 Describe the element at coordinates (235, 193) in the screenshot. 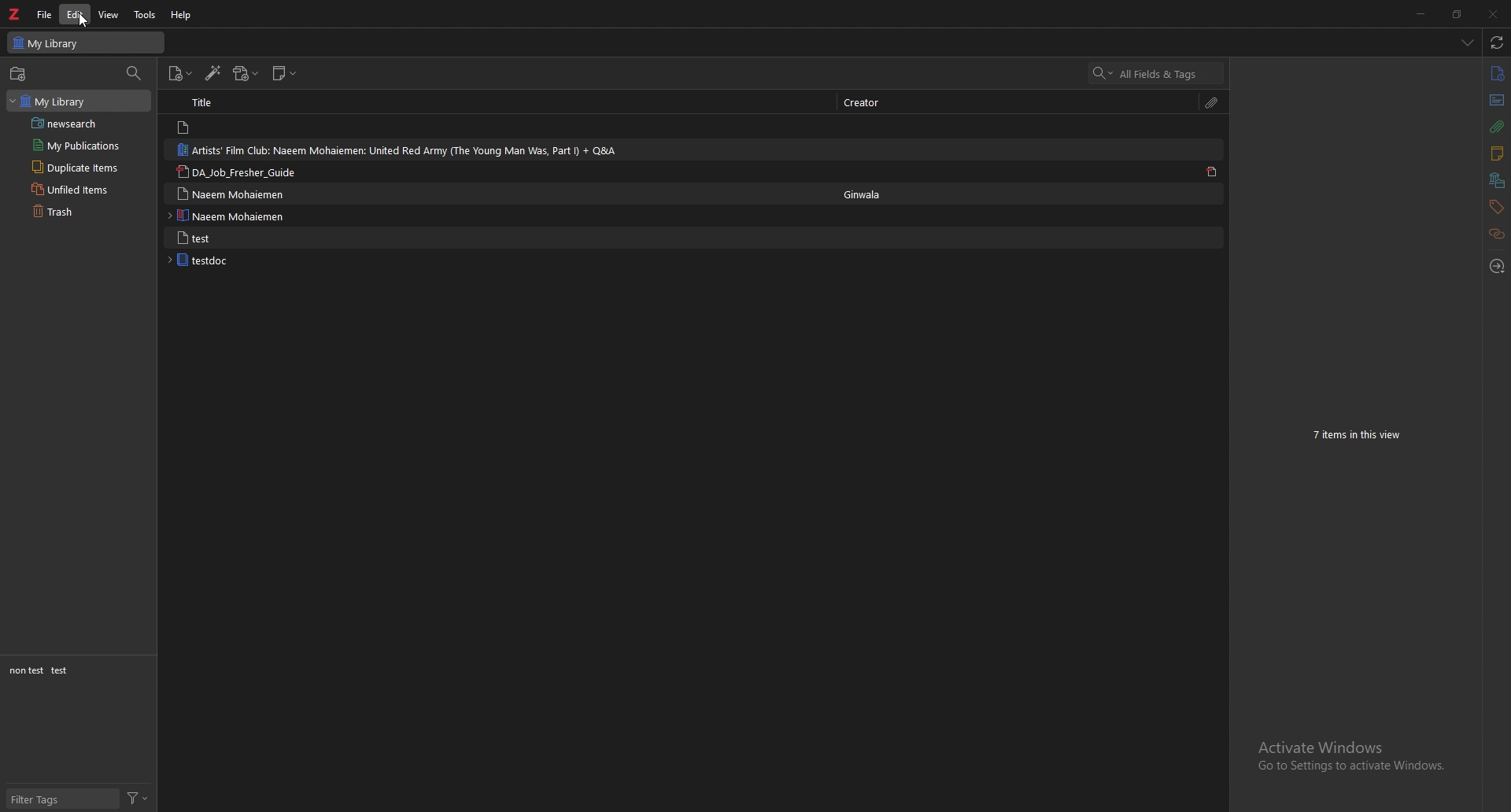

I see `Naeem Mohaiemen` at that location.